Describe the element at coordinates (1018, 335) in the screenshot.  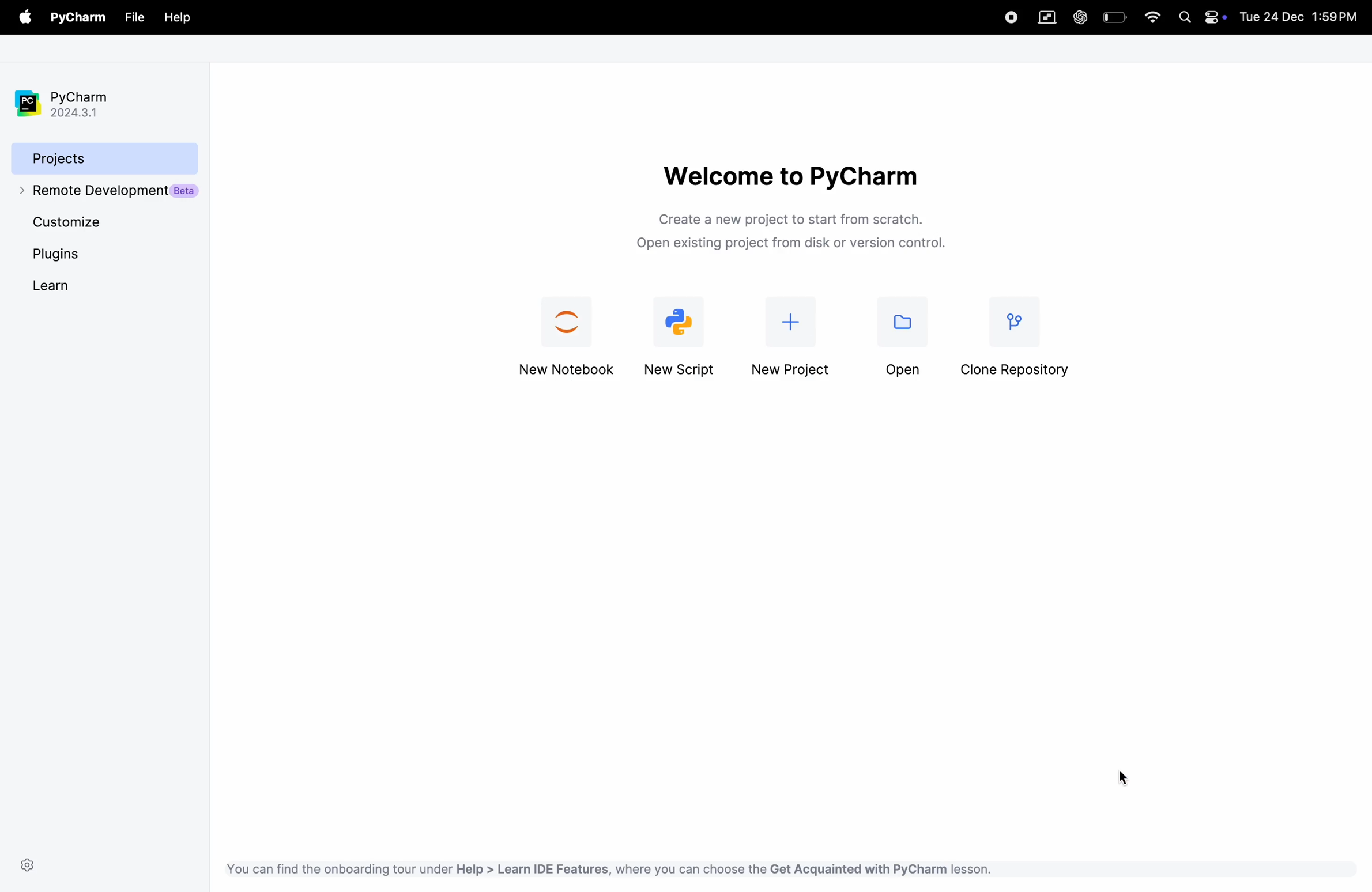
I see `clone repository` at that location.